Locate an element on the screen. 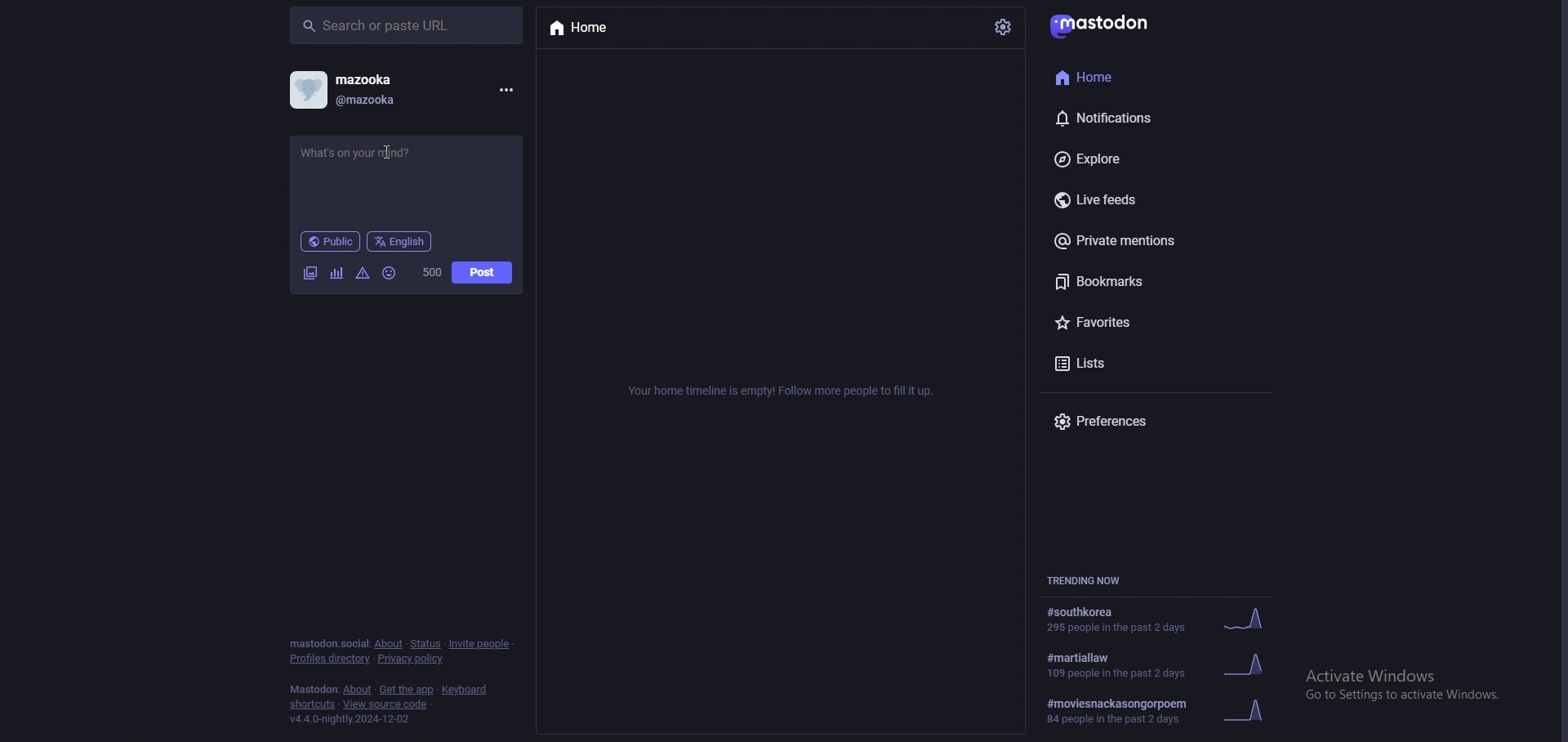 This screenshot has height=742, width=1568. shortcuts is located at coordinates (310, 705).